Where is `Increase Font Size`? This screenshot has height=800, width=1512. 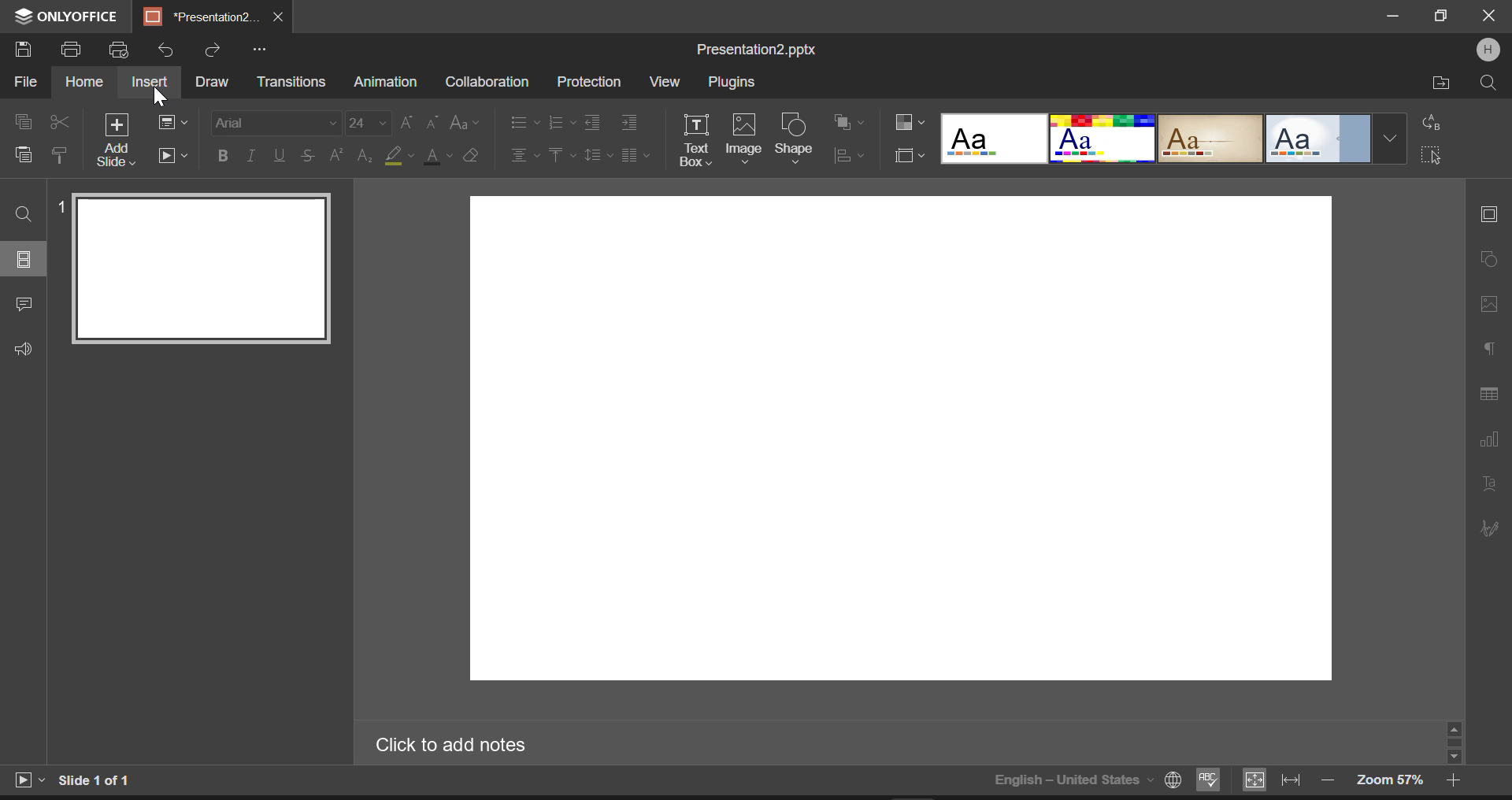
Increase Font Size is located at coordinates (406, 120).